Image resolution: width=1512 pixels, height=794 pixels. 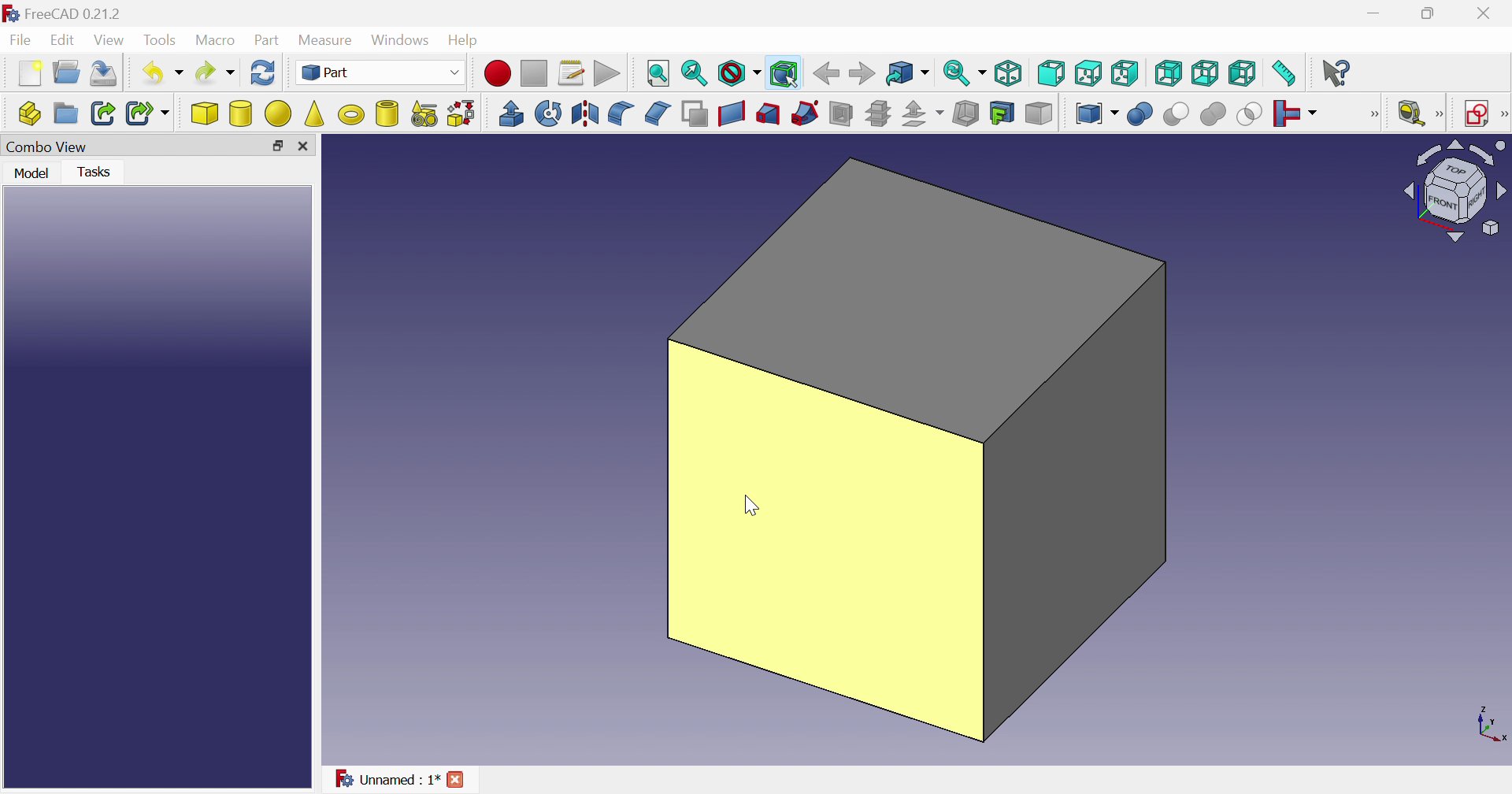 I want to click on Create tube, so click(x=387, y=113).